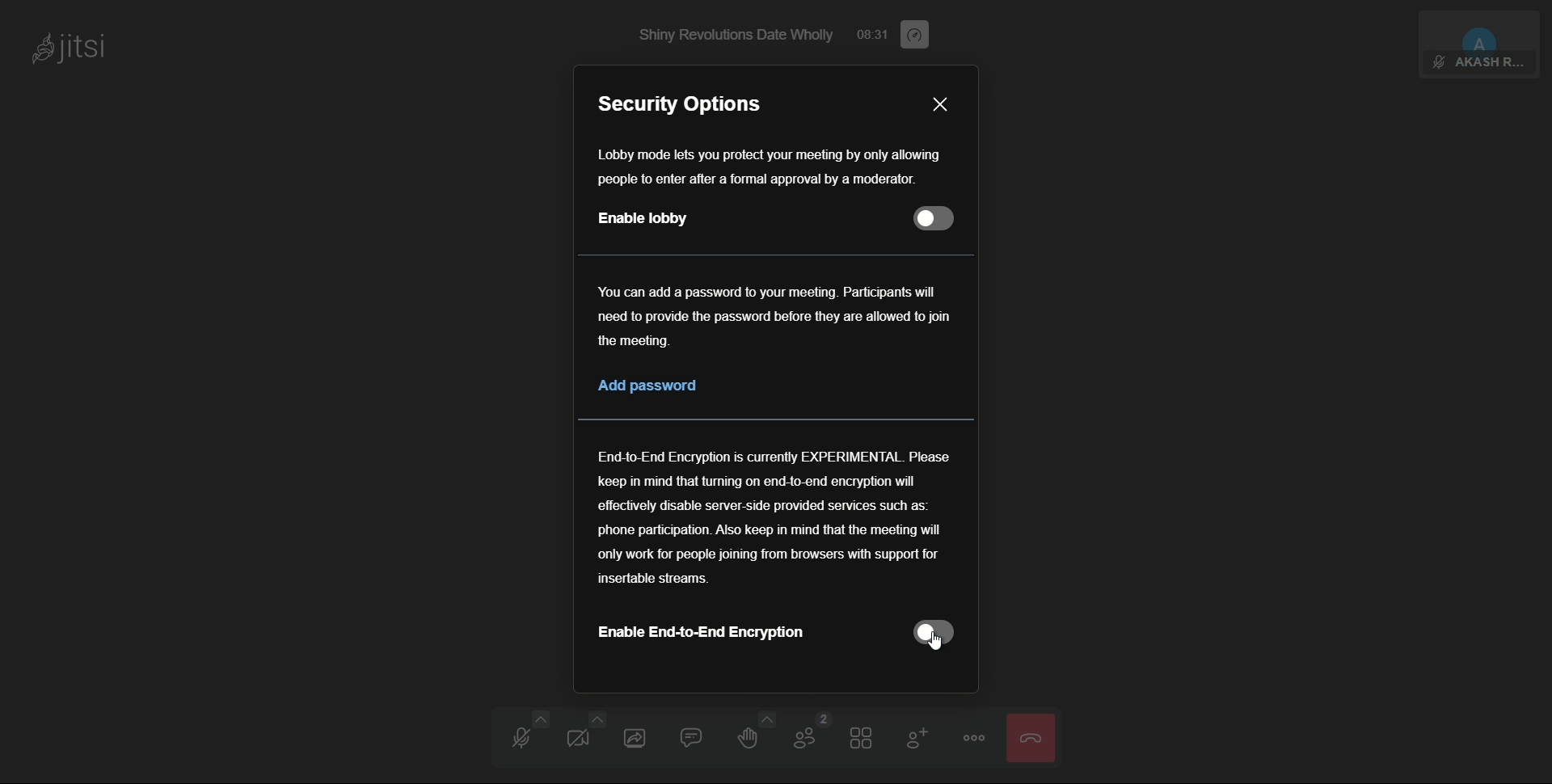 The height and width of the screenshot is (784, 1552). Describe the element at coordinates (775, 520) in the screenshot. I see `End-to-End Encryption is currently EXPERIMENTAL. Please
keep in mind that turning on end-to-end encryption will
effectively disable server-side provided services such as
phone participation. Also keep in mind that the meeting will
only work for people joining from browsers with support for
insertable streams.` at that location.